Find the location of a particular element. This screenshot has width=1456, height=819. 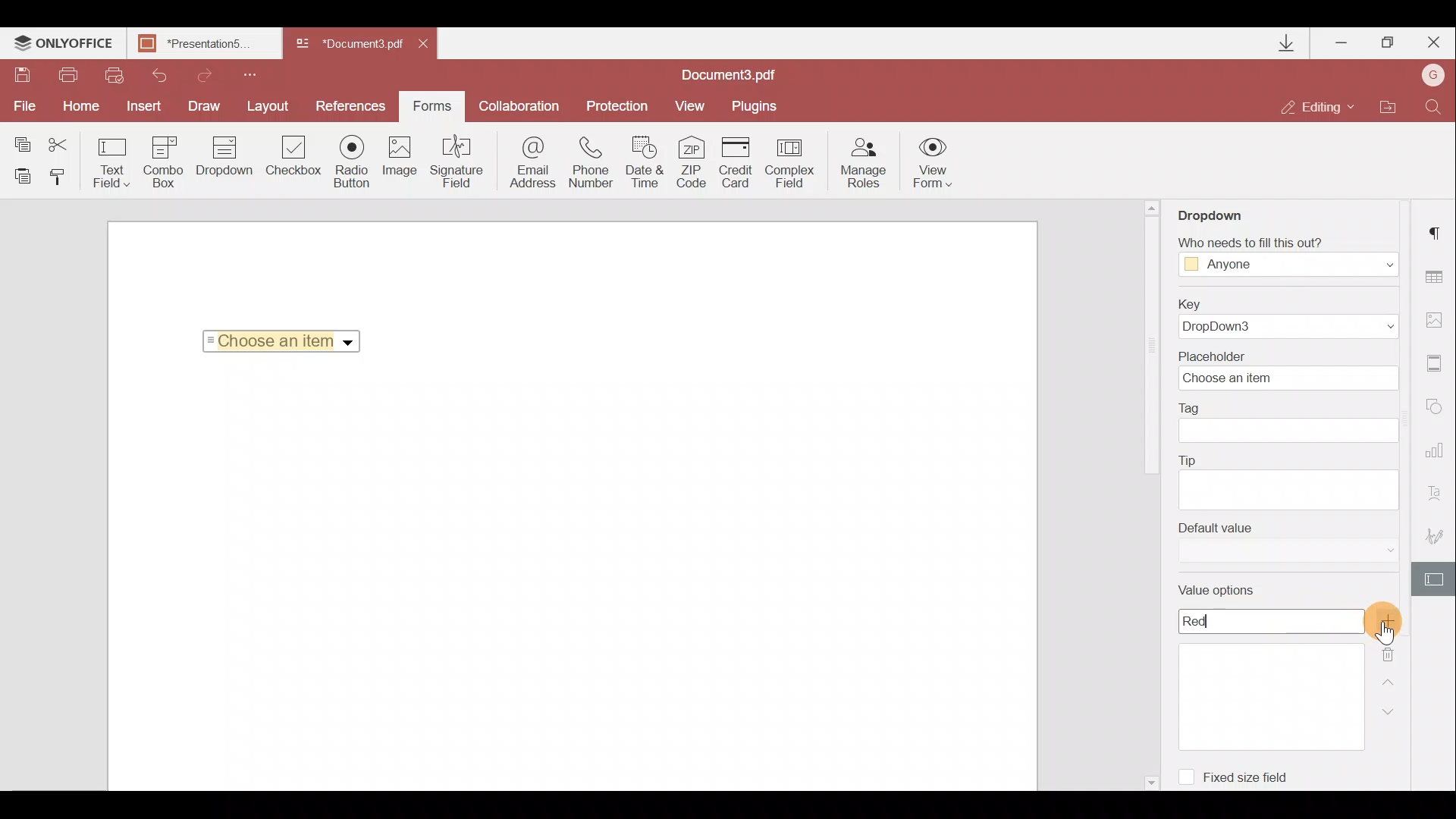

Working area is located at coordinates (570, 579).